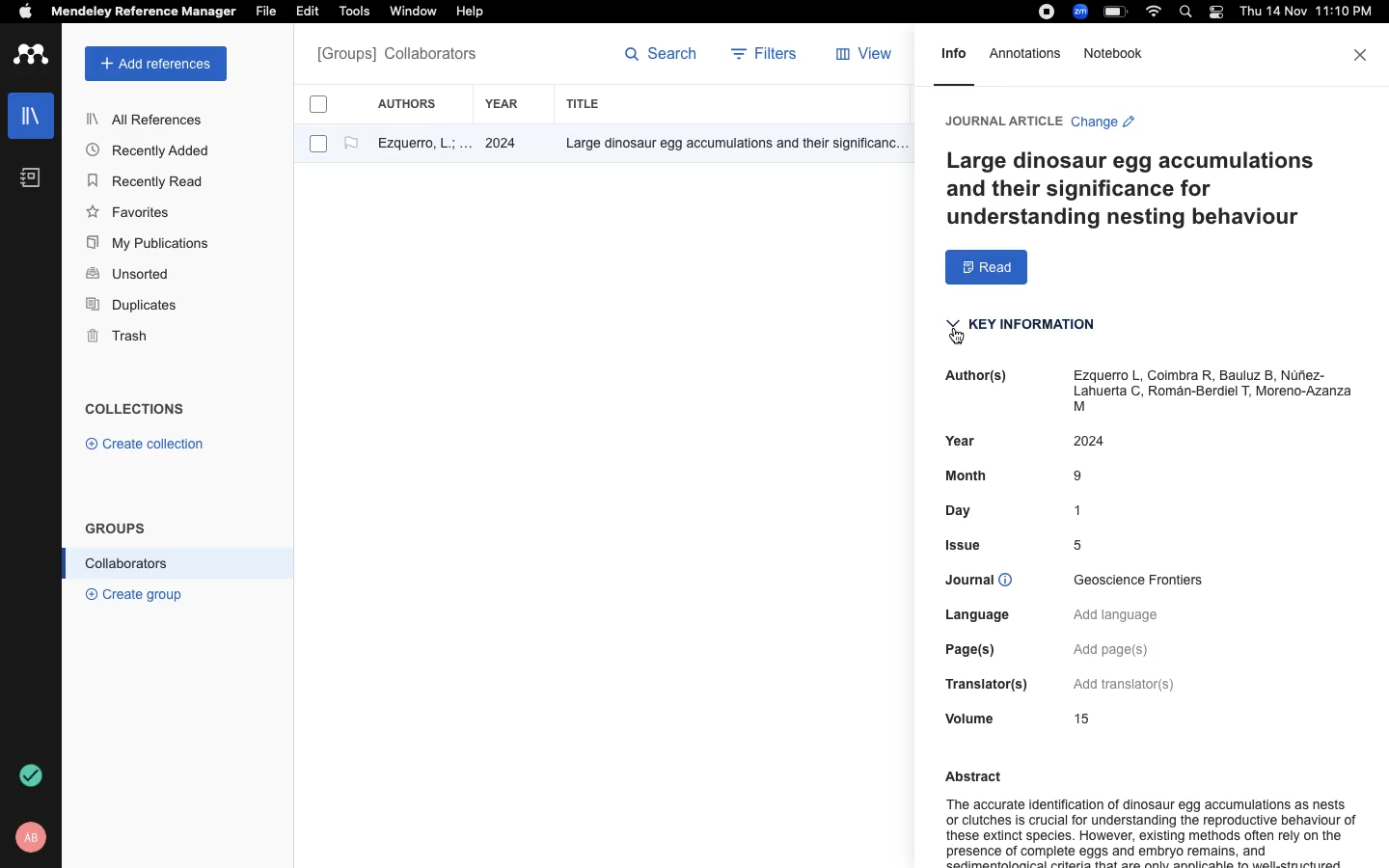  I want to click on cursor, so click(961, 339).